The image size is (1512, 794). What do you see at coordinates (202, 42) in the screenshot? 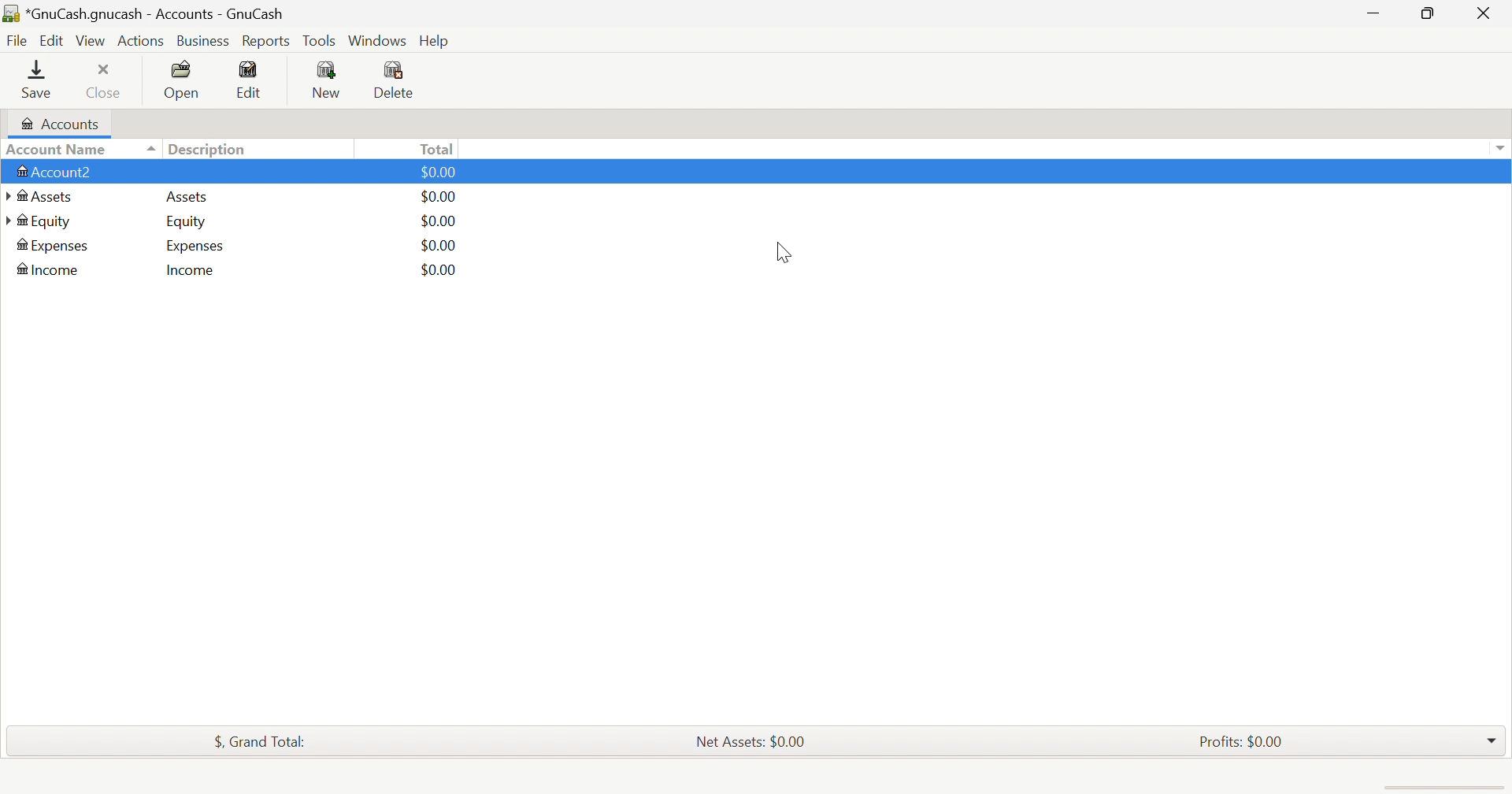
I see `Business` at bounding box center [202, 42].